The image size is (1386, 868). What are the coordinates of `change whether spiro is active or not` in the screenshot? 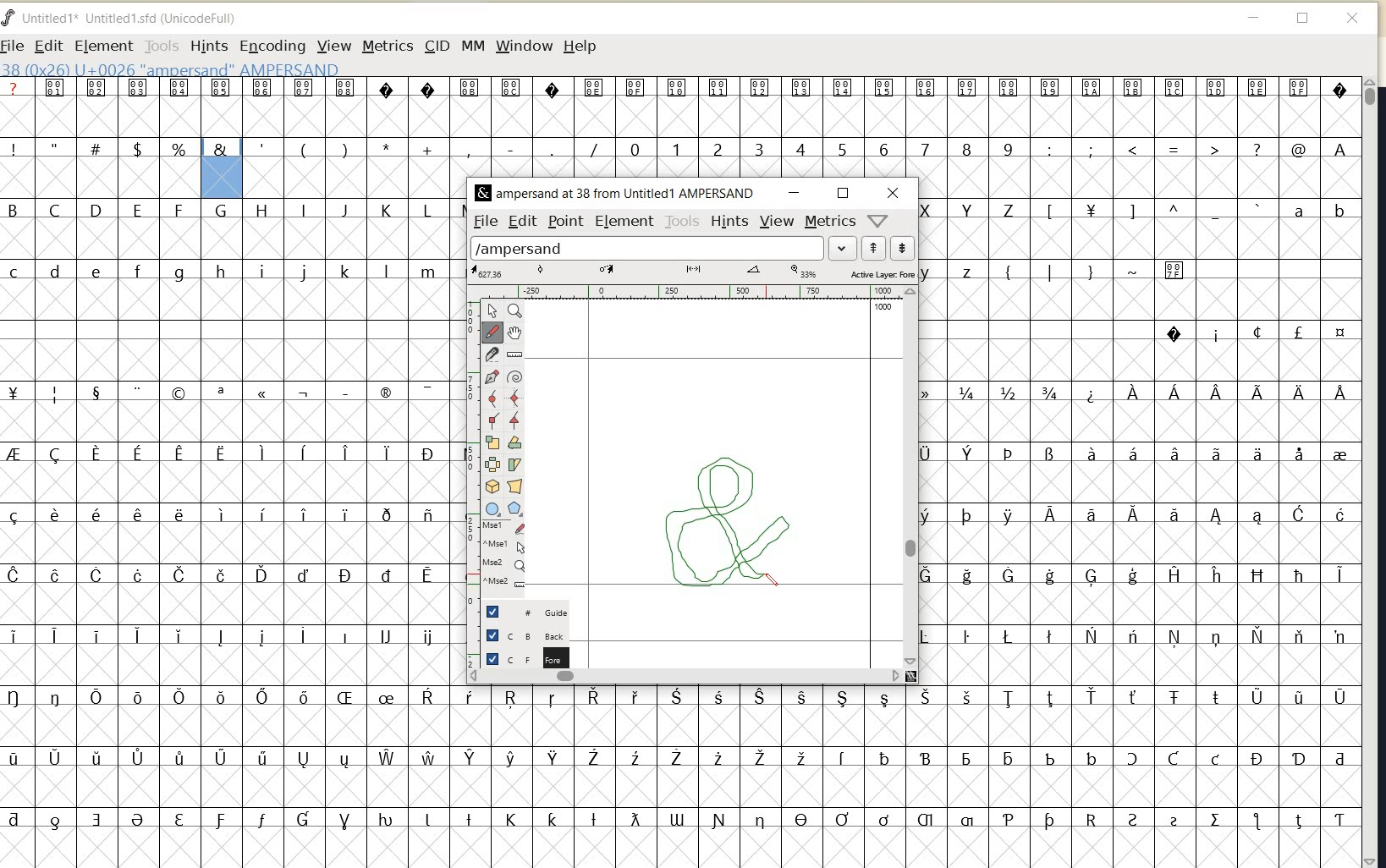 It's located at (514, 376).